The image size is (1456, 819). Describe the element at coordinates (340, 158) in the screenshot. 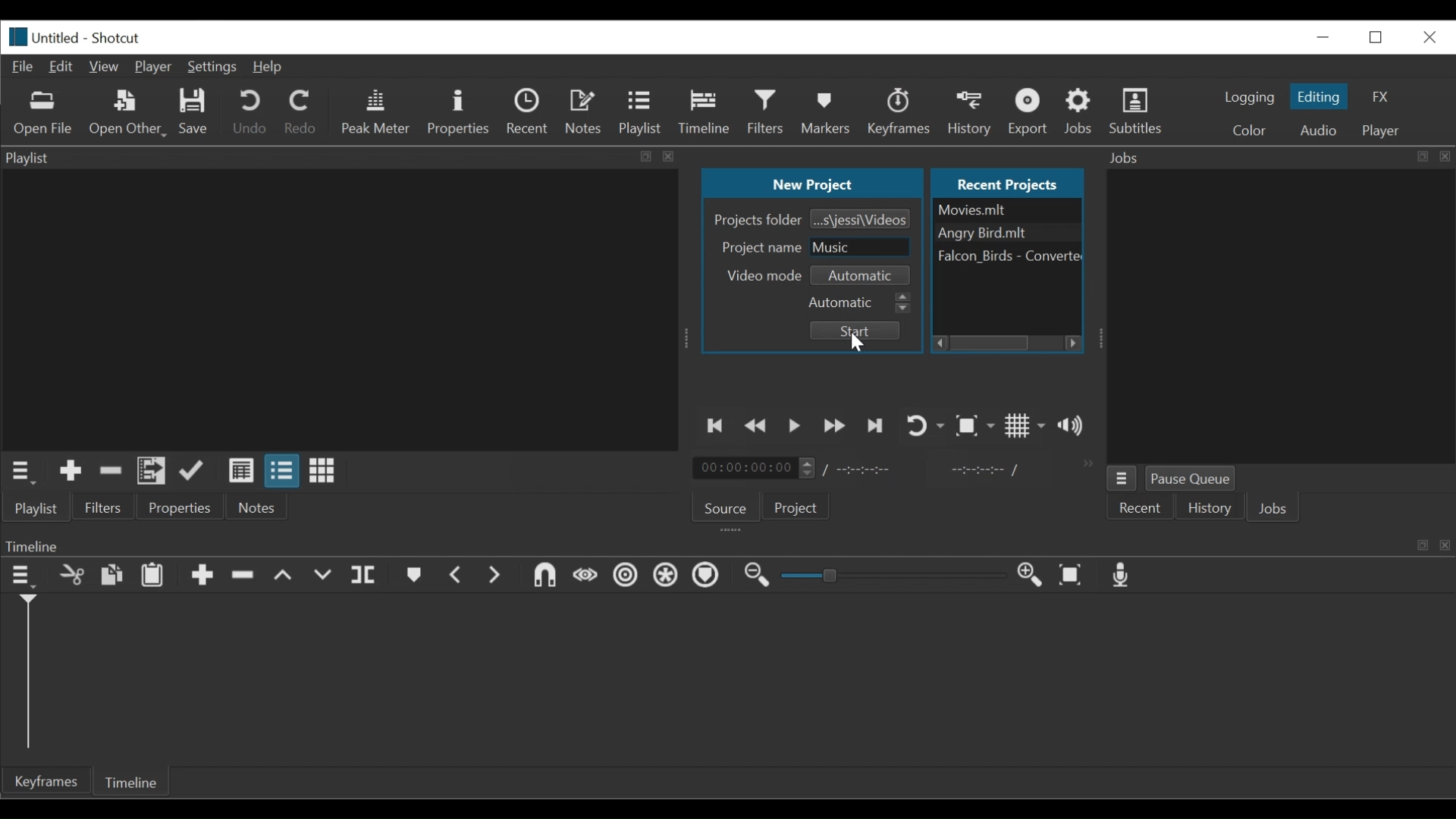

I see `Playlist Panel` at that location.